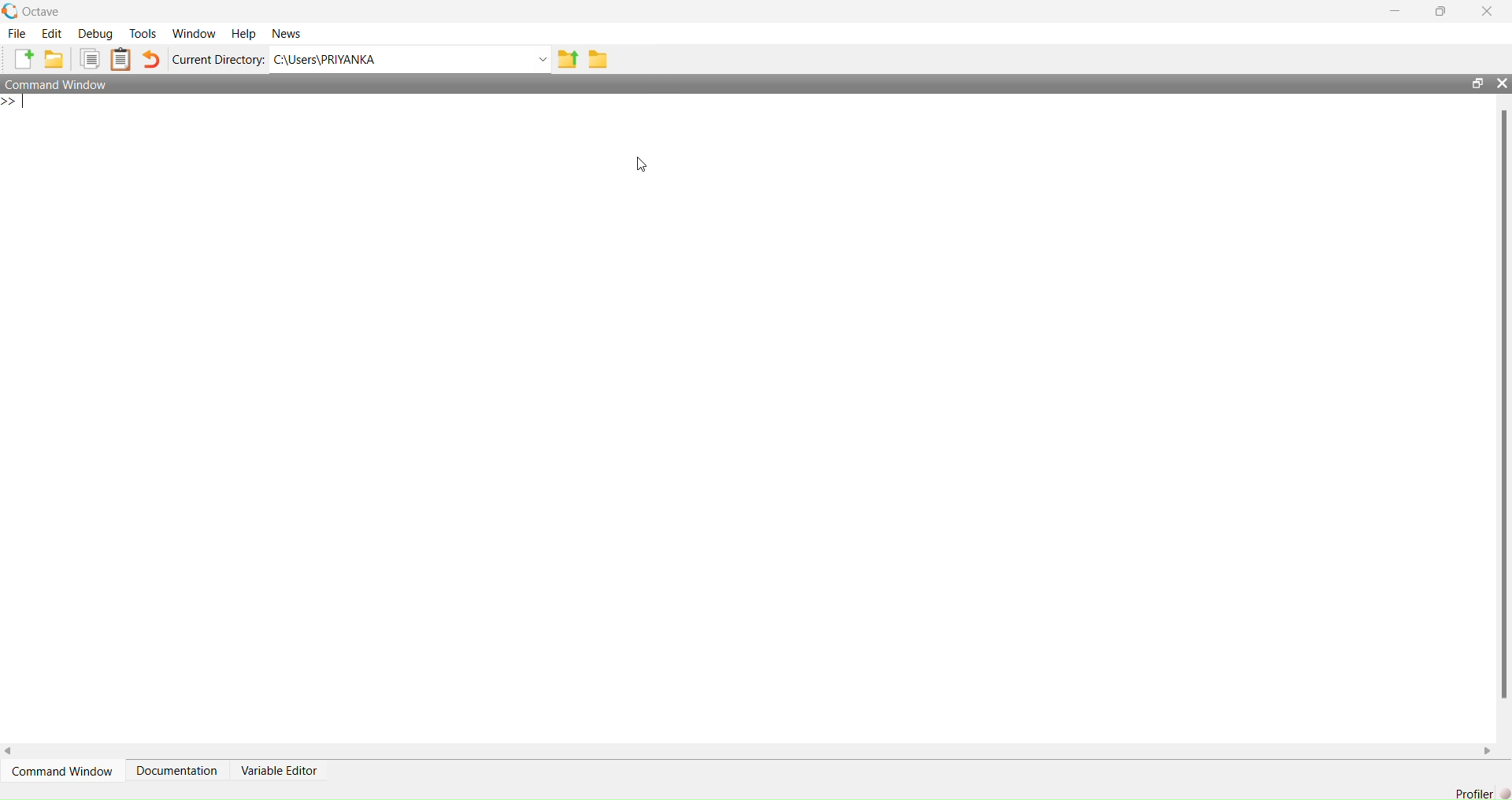 This screenshot has width=1512, height=800. I want to click on debug, so click(96, 35).